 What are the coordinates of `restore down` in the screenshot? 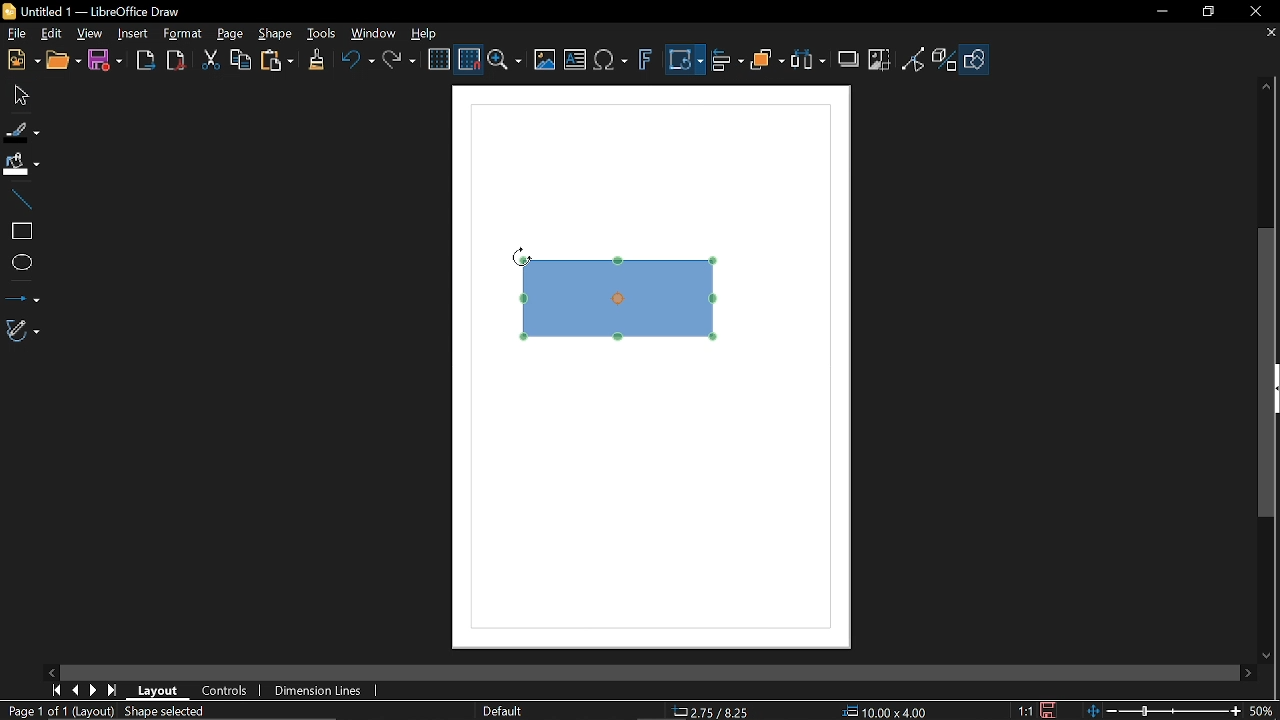 It's located at (1206, 13).